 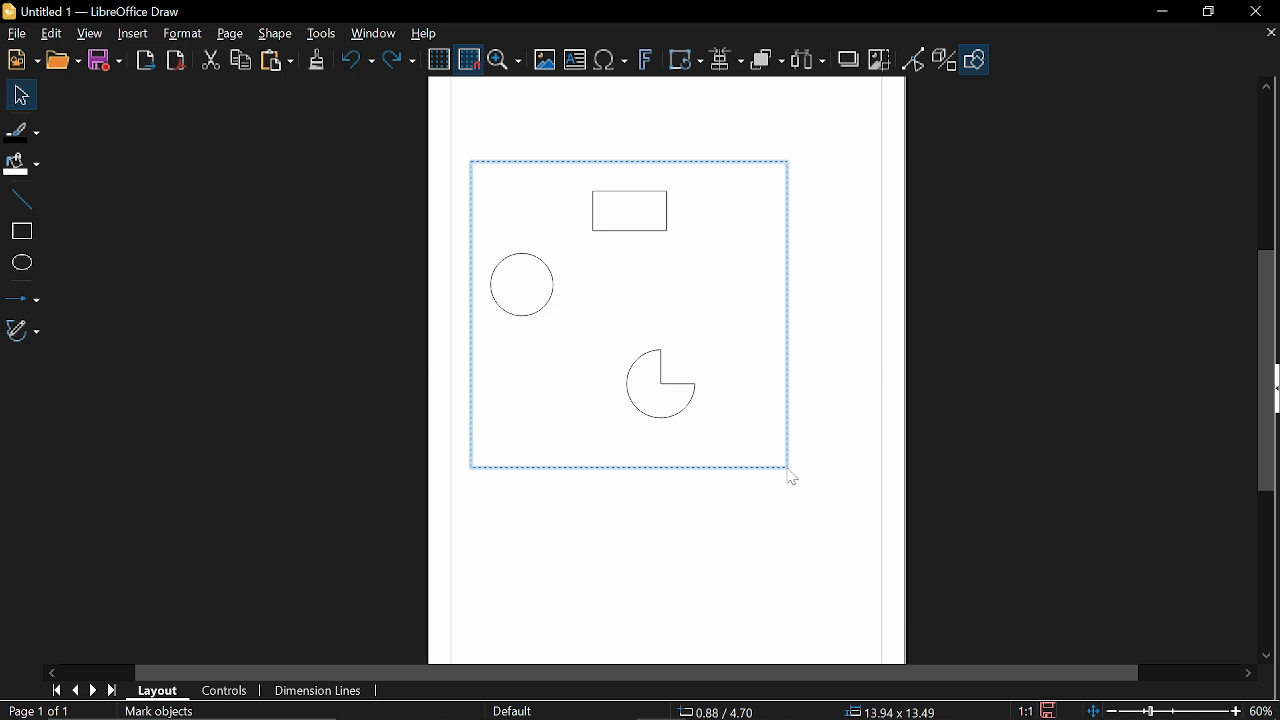 What do you see at coordinates (656, 388) in the screenshot?
I see `Quarter Circle` at bounding box center [656, 388].